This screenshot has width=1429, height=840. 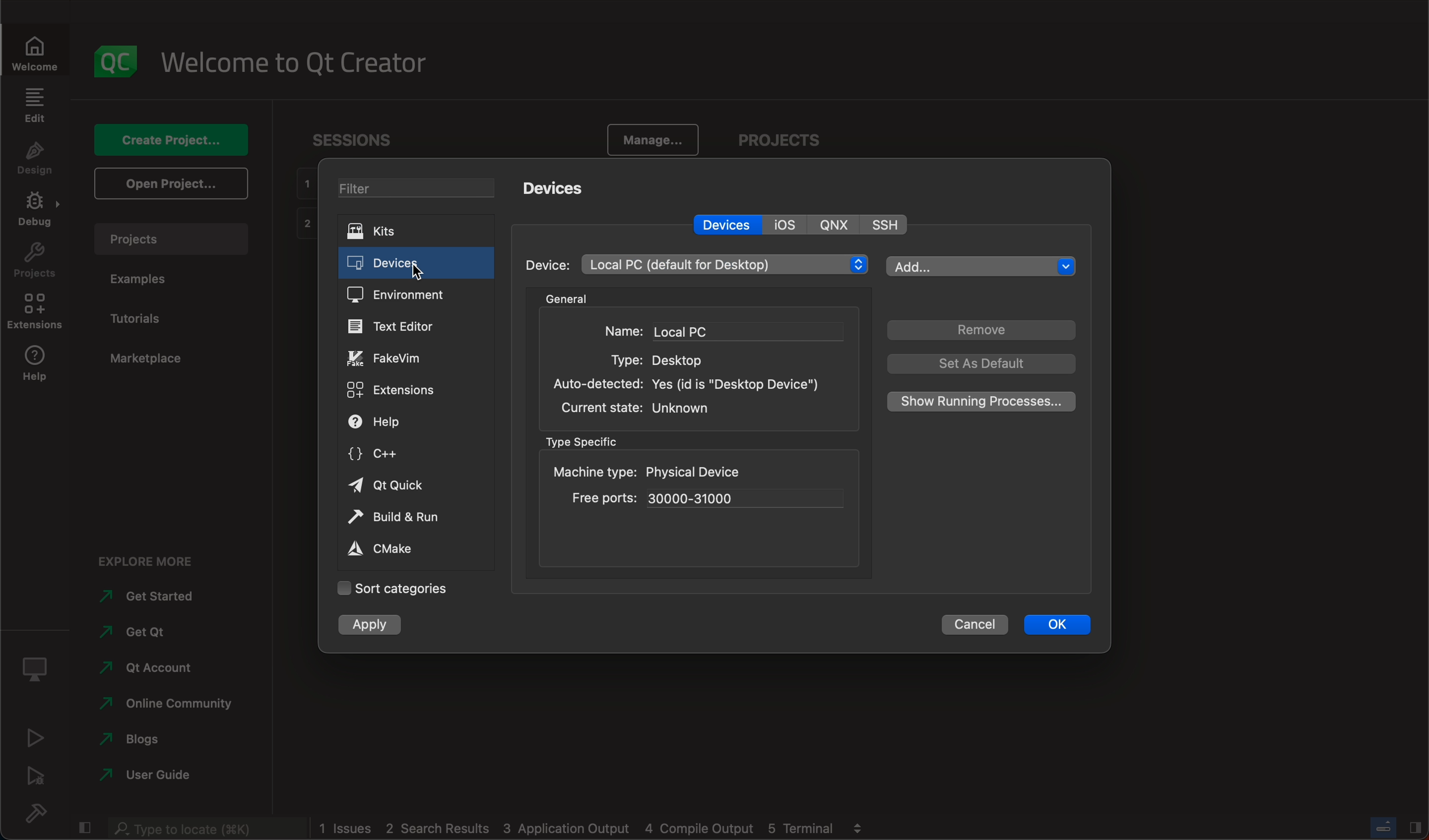 What do you see at coordinates (984, 364) in the screenshot?
I see `set as default` at bounding box center [984, 364].